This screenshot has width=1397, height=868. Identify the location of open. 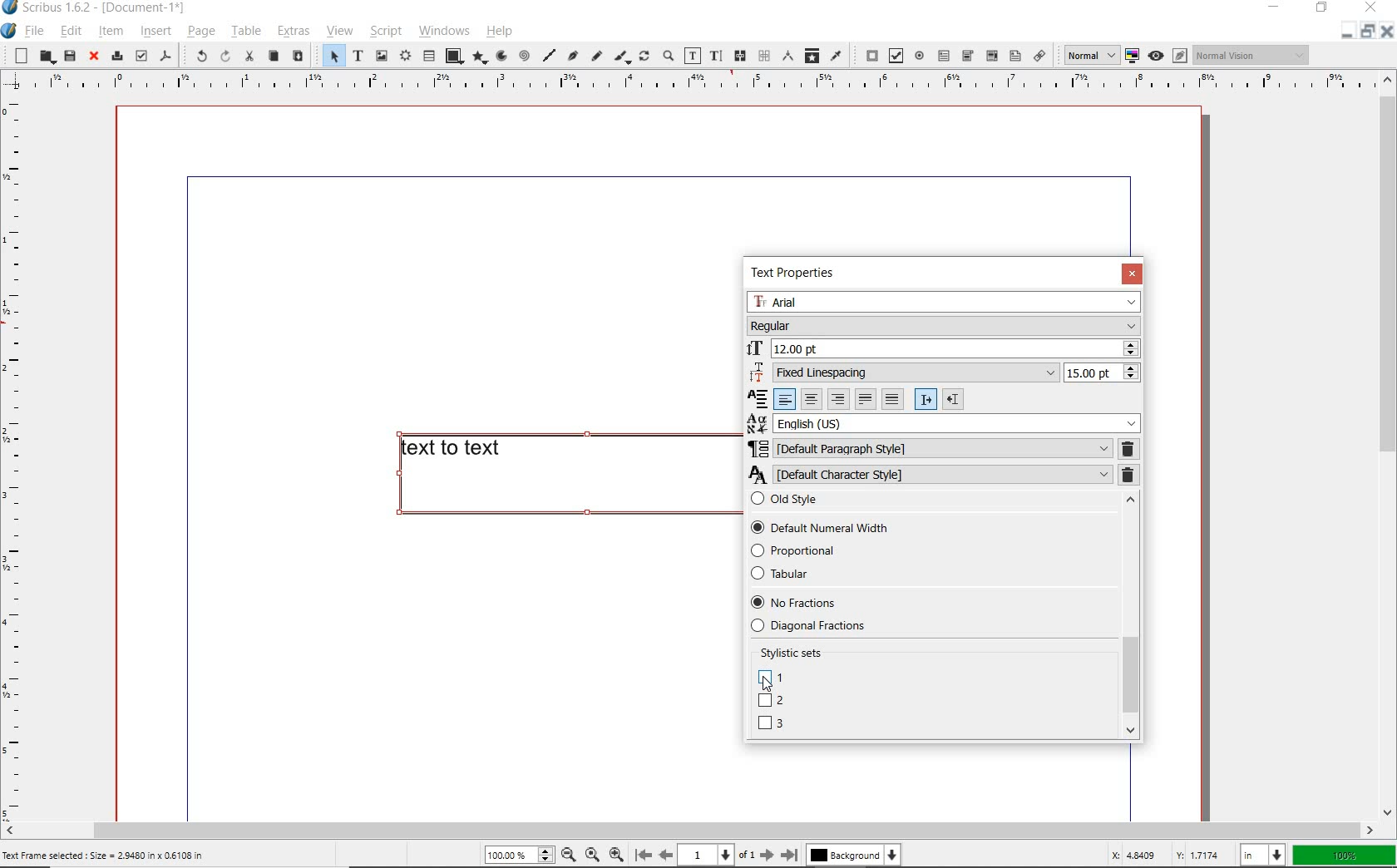
(46, 57).